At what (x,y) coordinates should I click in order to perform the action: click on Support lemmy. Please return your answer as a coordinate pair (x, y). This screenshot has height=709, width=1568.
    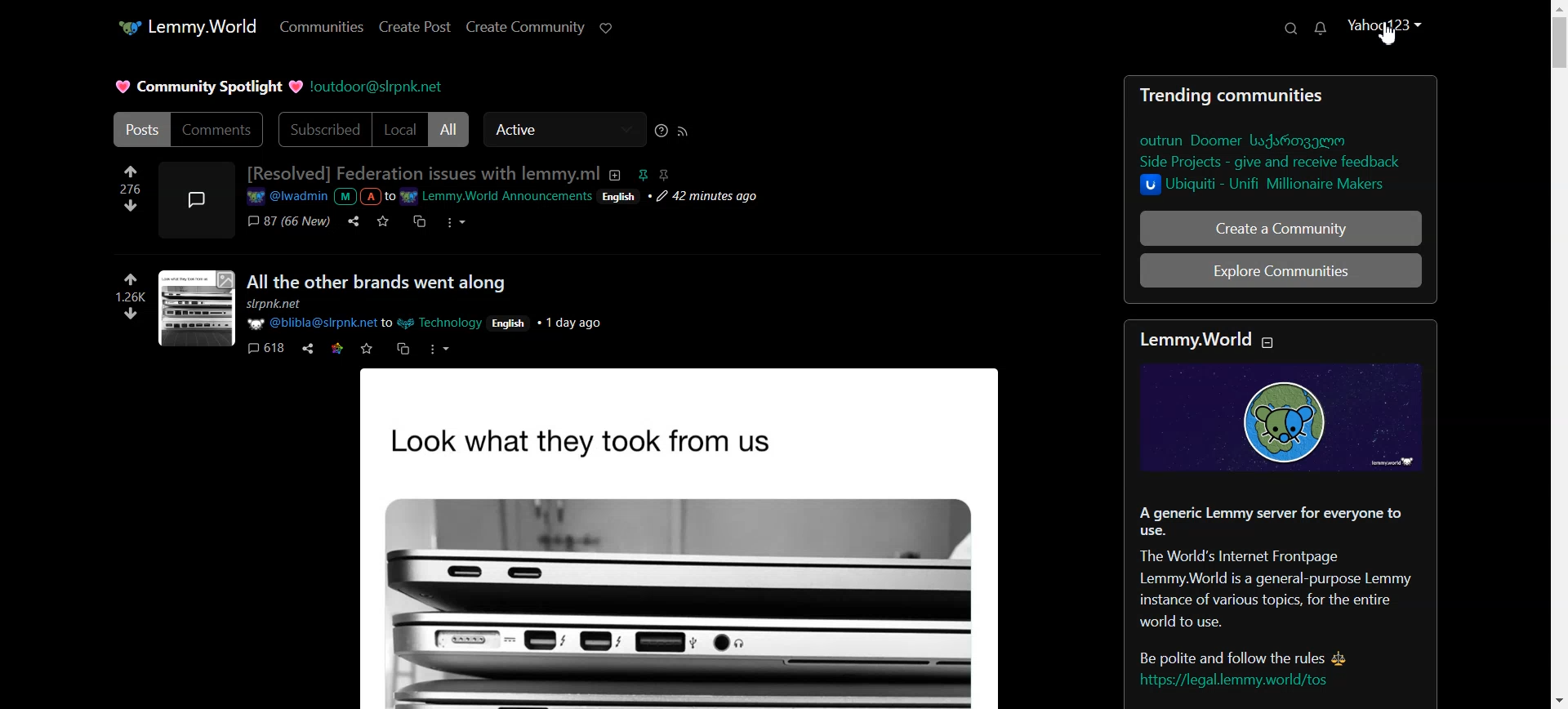
    Looking at the image, I should click on (606, 27).